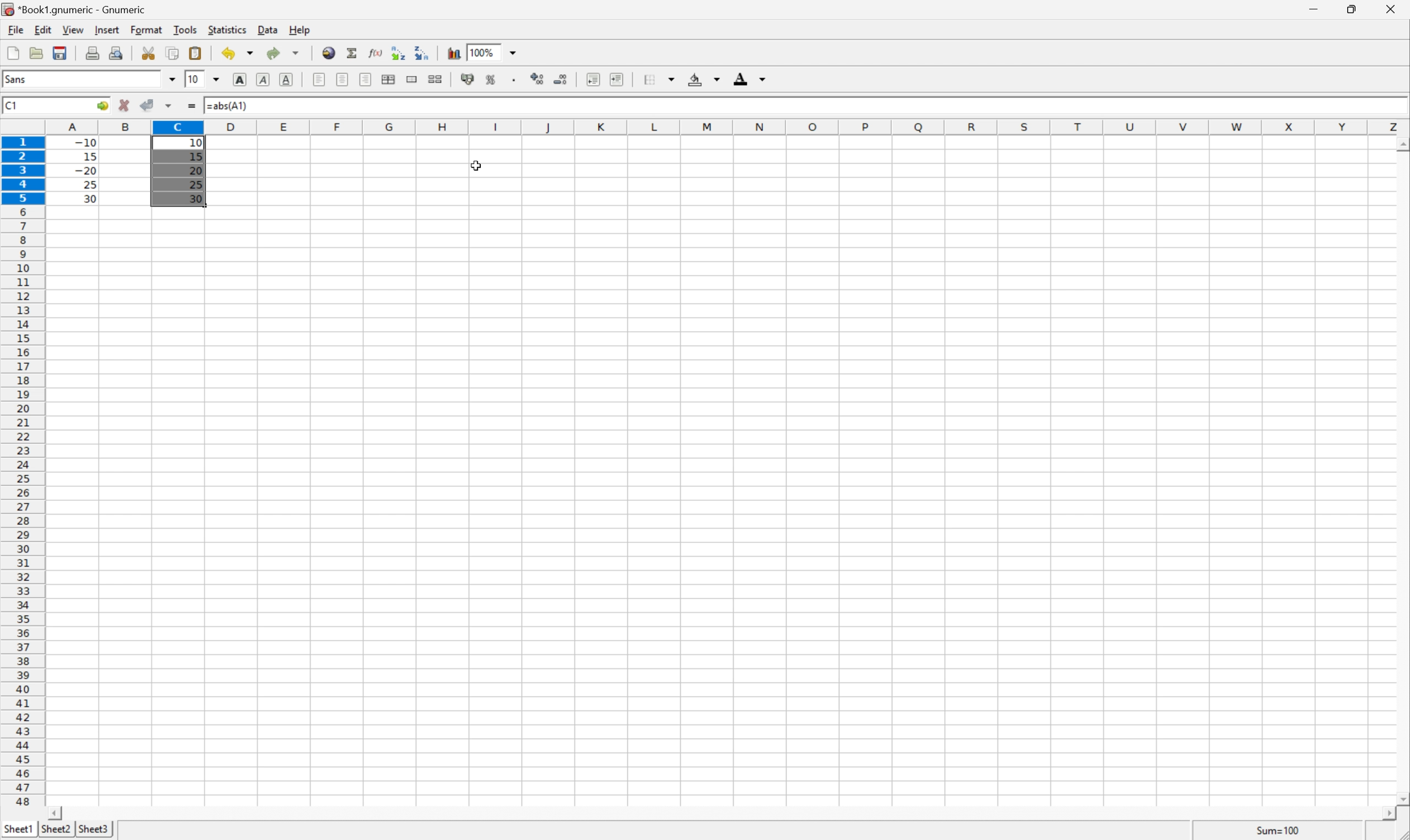 Image resolution: width=1410 pixels, height=840 pixels. Describe the element at coordinates (198, 53) in the screenshot. I see `Paste the clipboard` at that location.